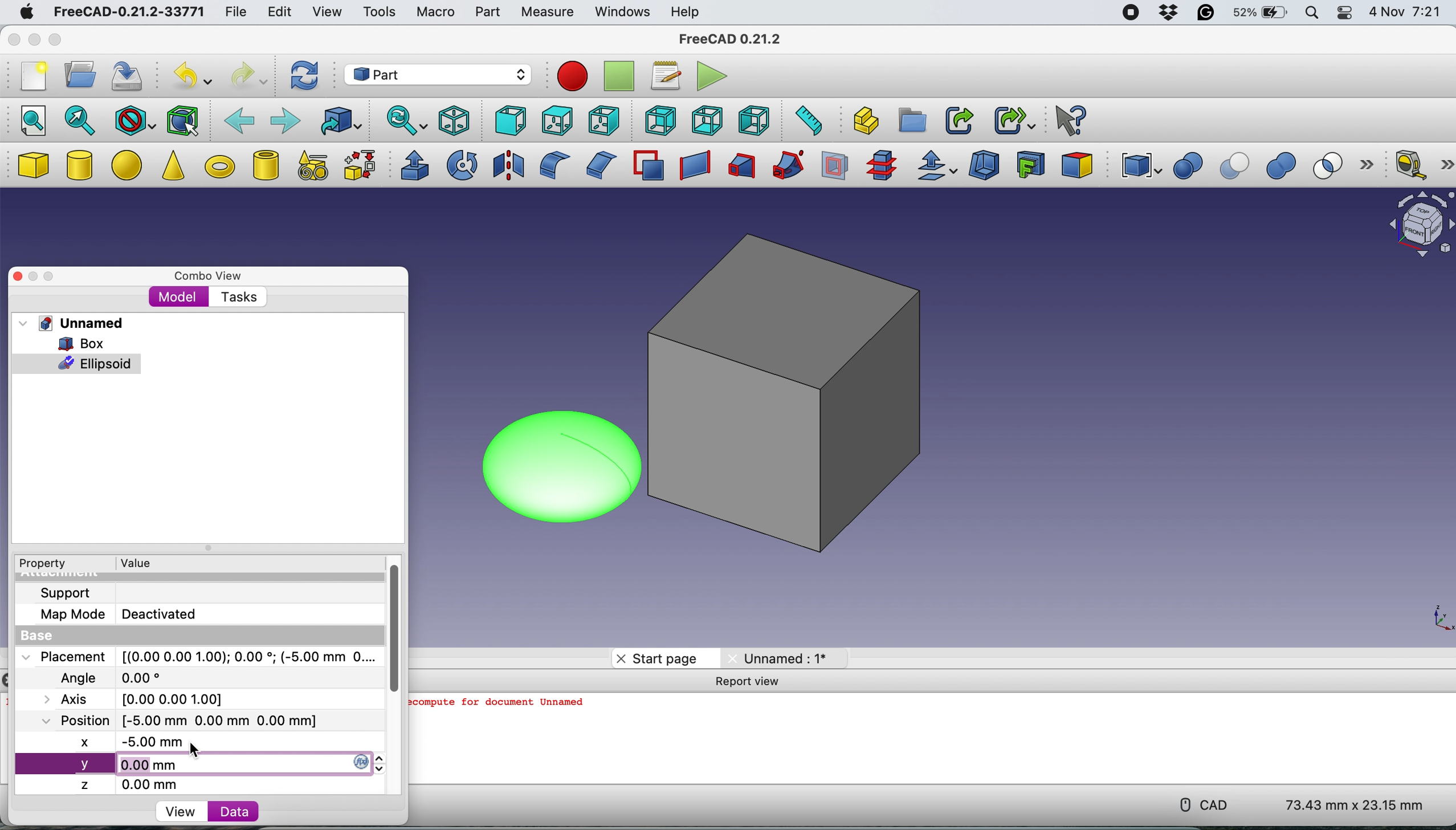 The width and height of the screenshot is (1456, 830). Describe the element at coordinates (1031, 164) in the screenshot. I see `create projection on surface` at that location.